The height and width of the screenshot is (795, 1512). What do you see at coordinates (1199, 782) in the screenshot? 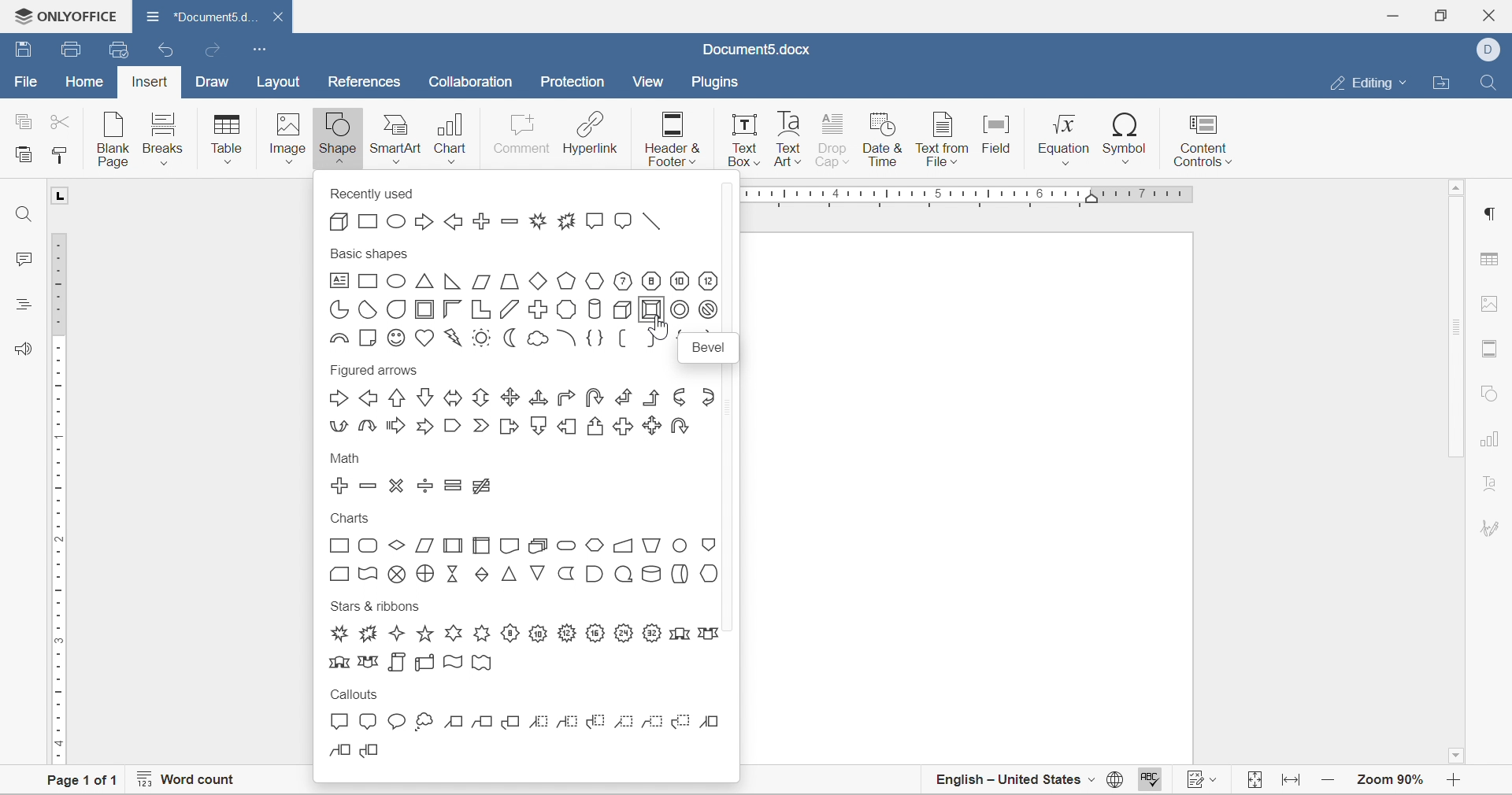
I see `track changes` at bounding box center [1199, 782].